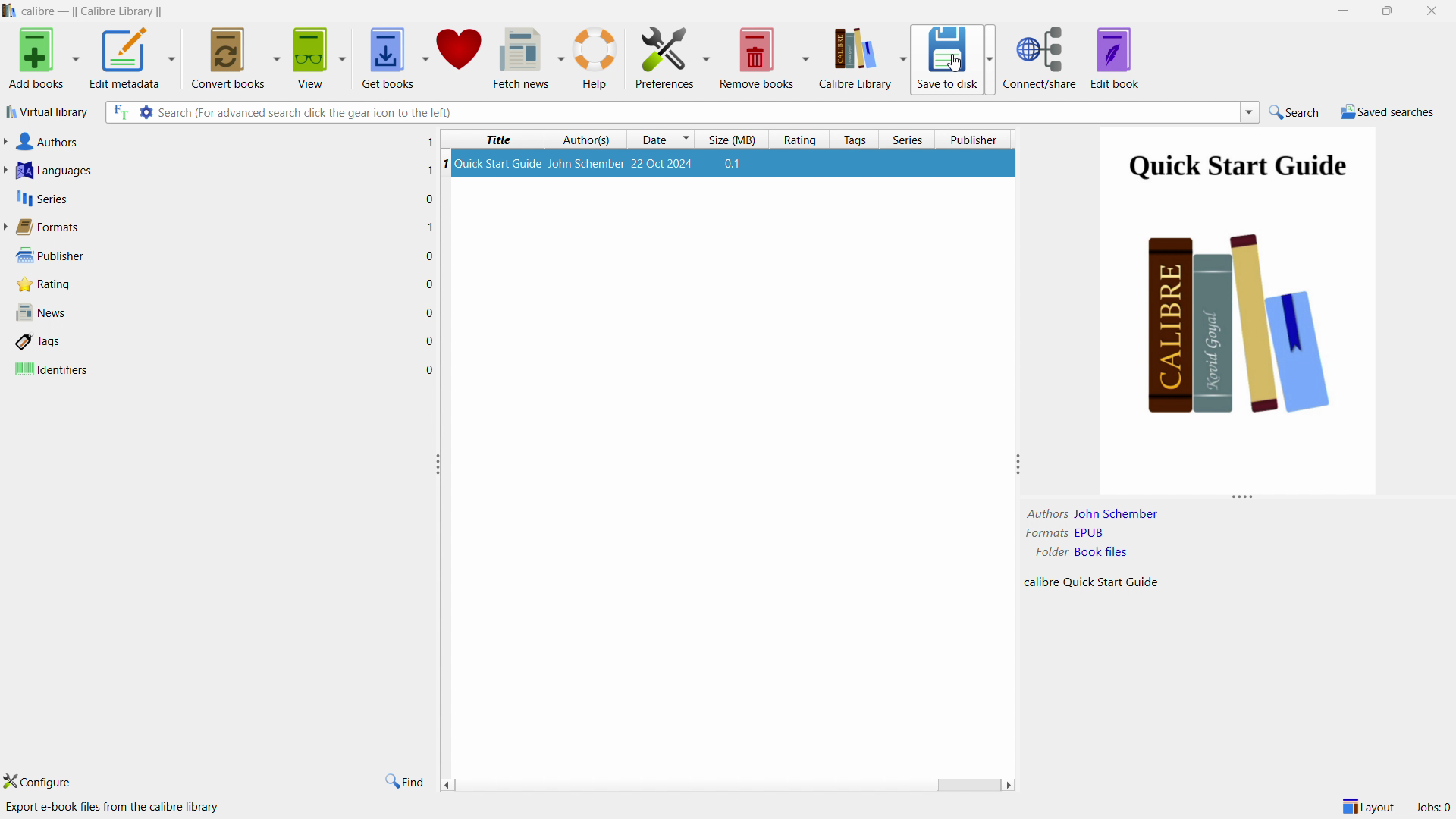  What do you see at coordinates (42, 198) in the screenshot?
I see `Series` at bounding box center [42, 198].